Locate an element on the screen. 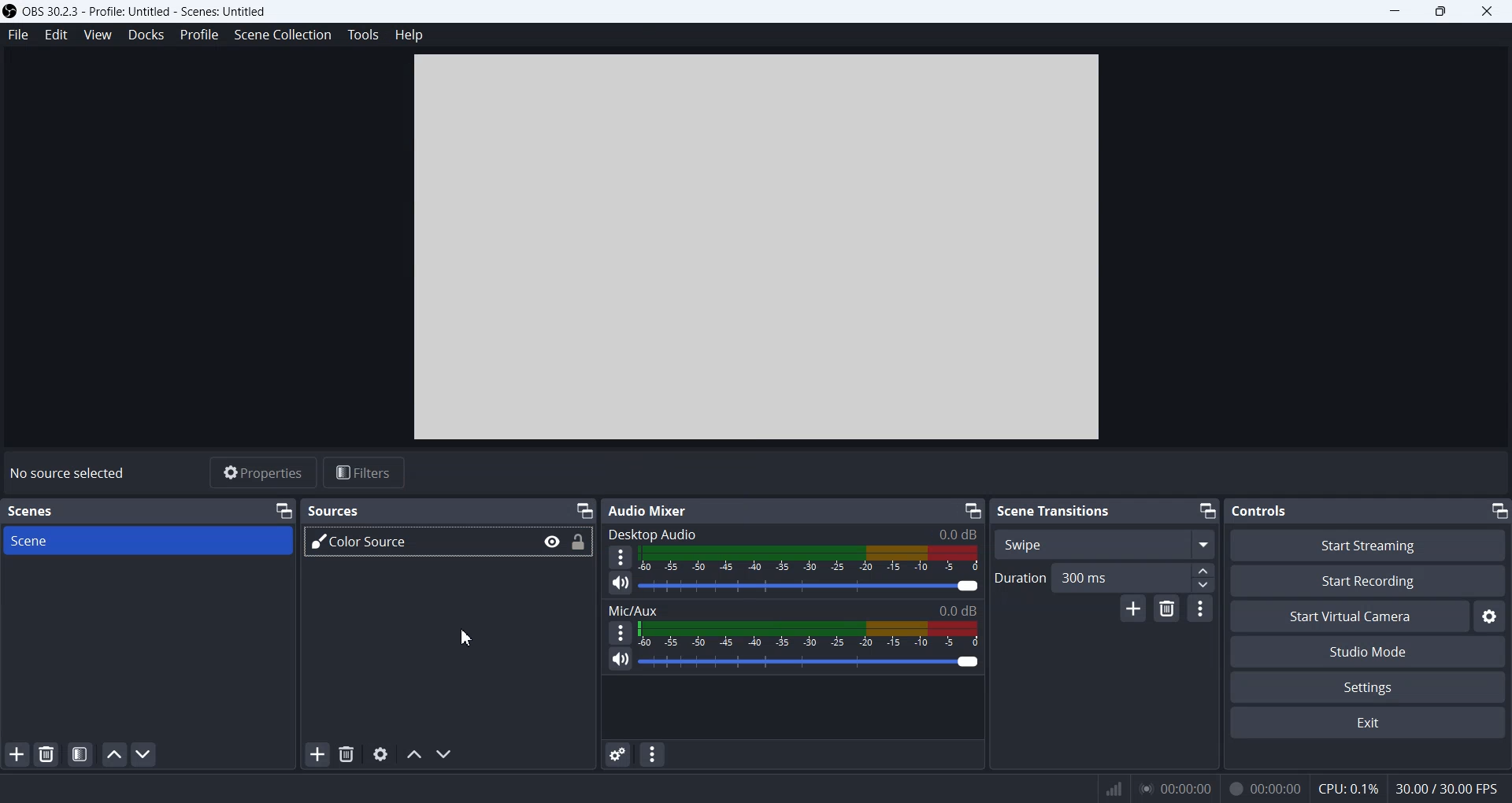  Minimize is located at coordinates (1396, 12).